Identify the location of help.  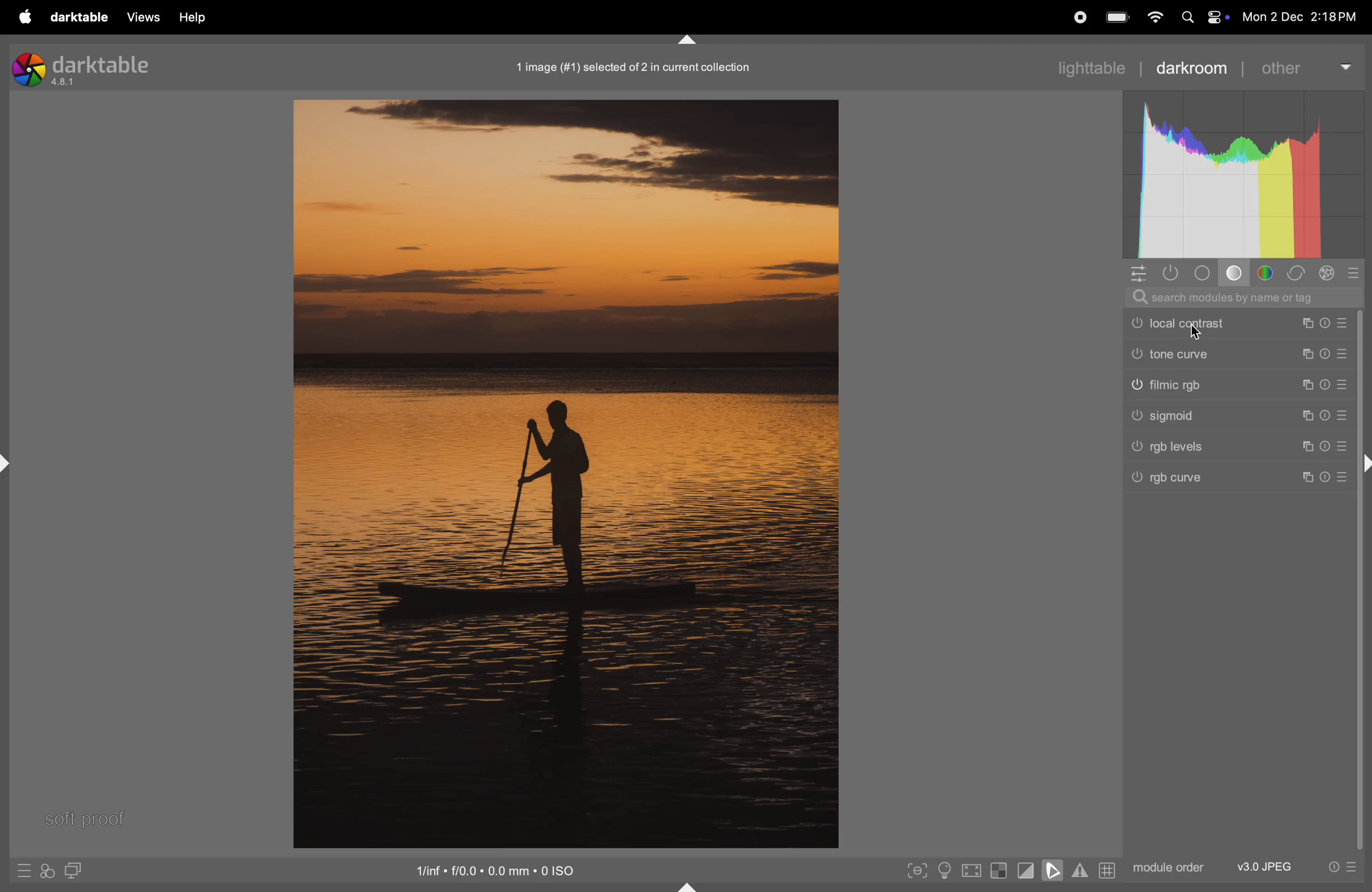
(198, 17).